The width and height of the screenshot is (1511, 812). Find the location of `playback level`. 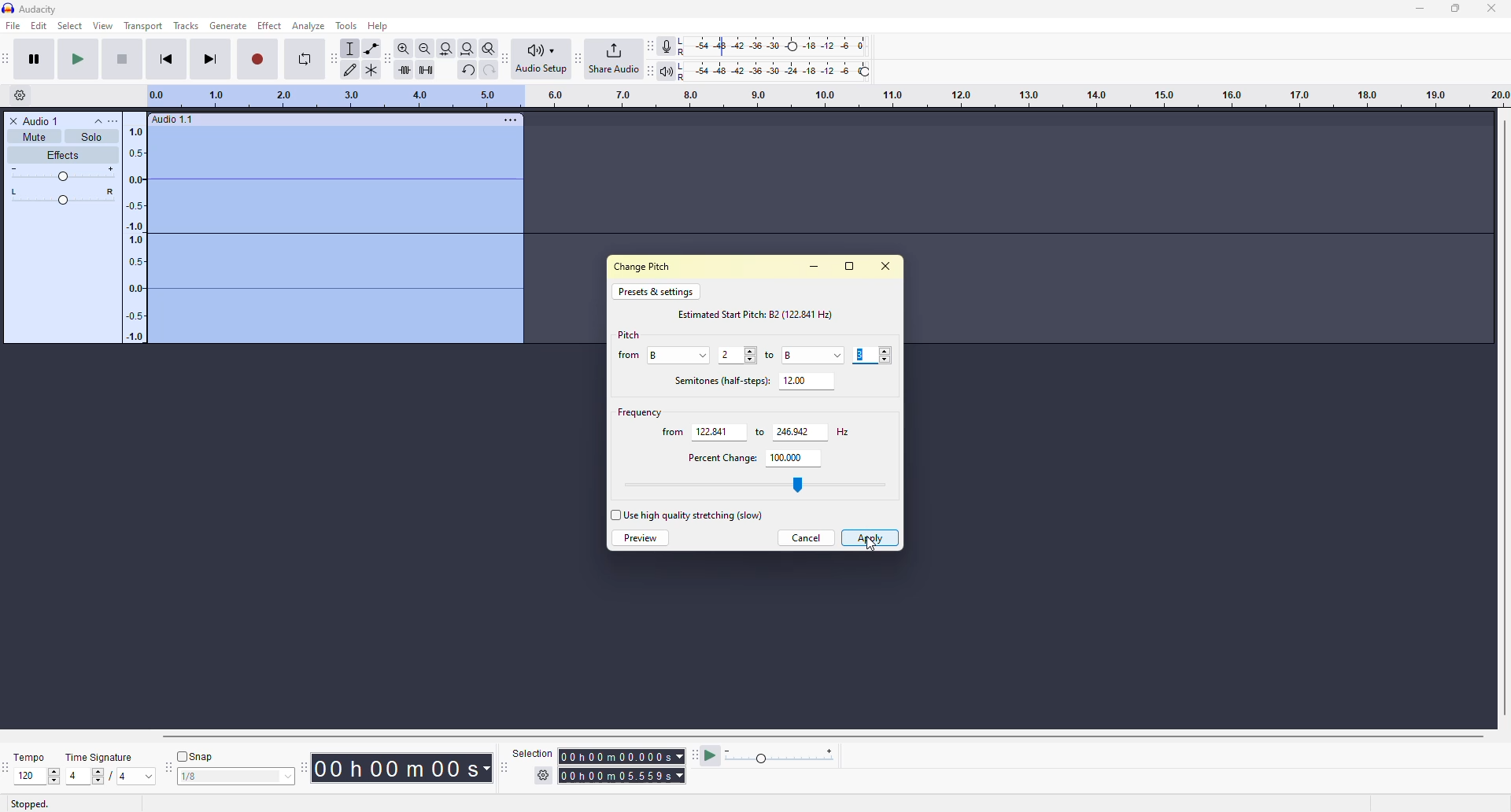

playback level is located at coordinates (773, 69).